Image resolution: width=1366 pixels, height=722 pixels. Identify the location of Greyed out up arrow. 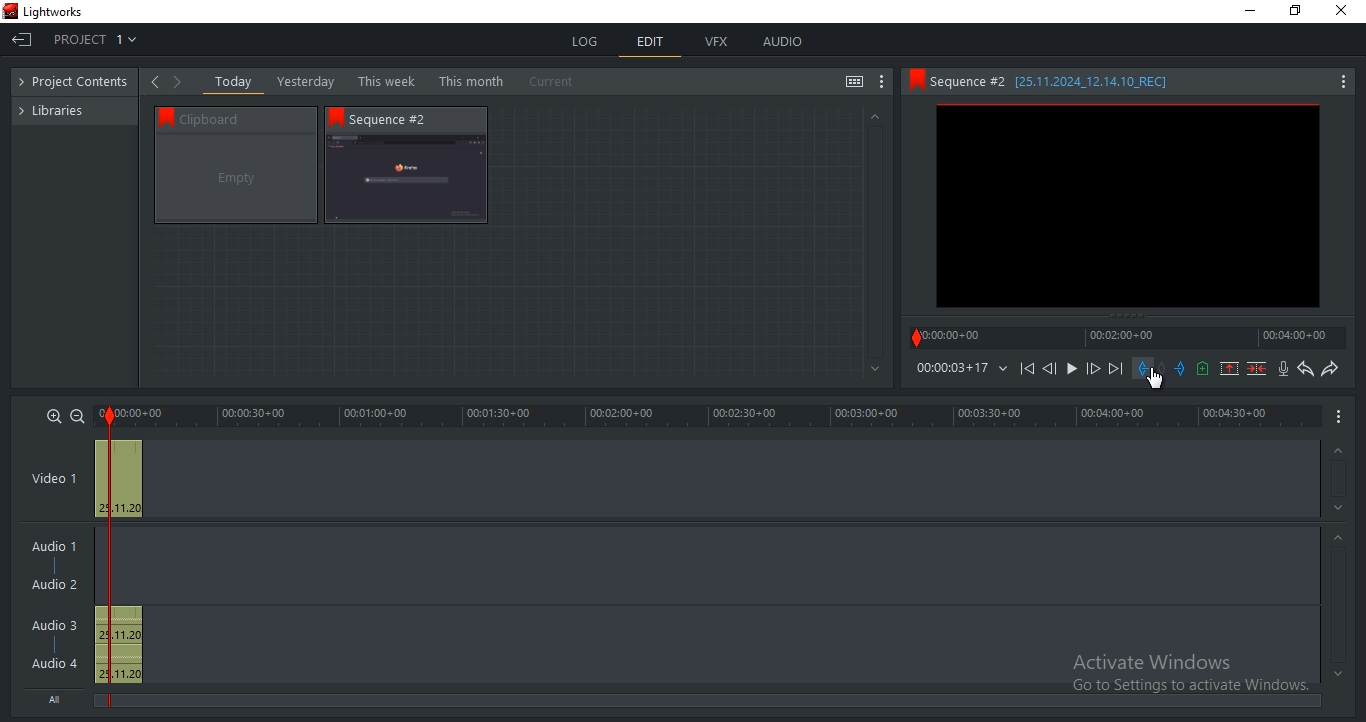
(1341, 540).